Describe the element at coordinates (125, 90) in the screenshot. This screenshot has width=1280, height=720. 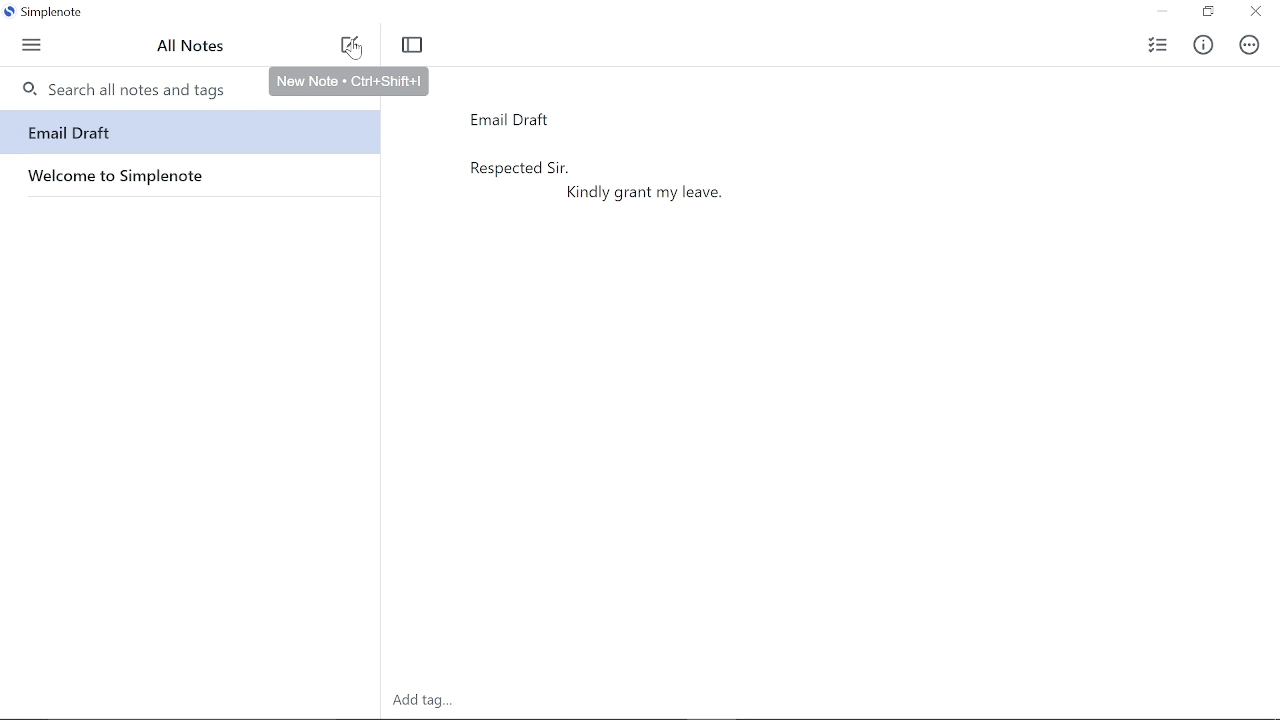
I see `Search all notes and tags` at that location.